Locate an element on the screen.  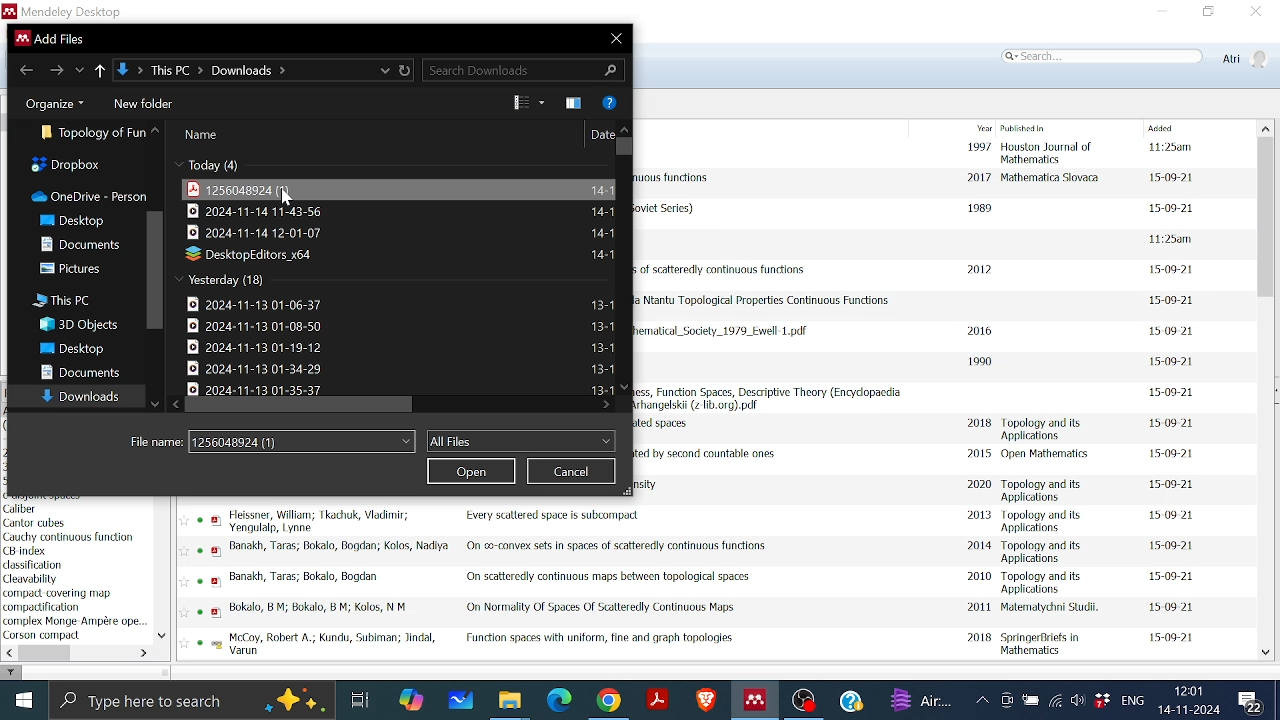
Show hidden Icons is located at coordinates (984, 699).